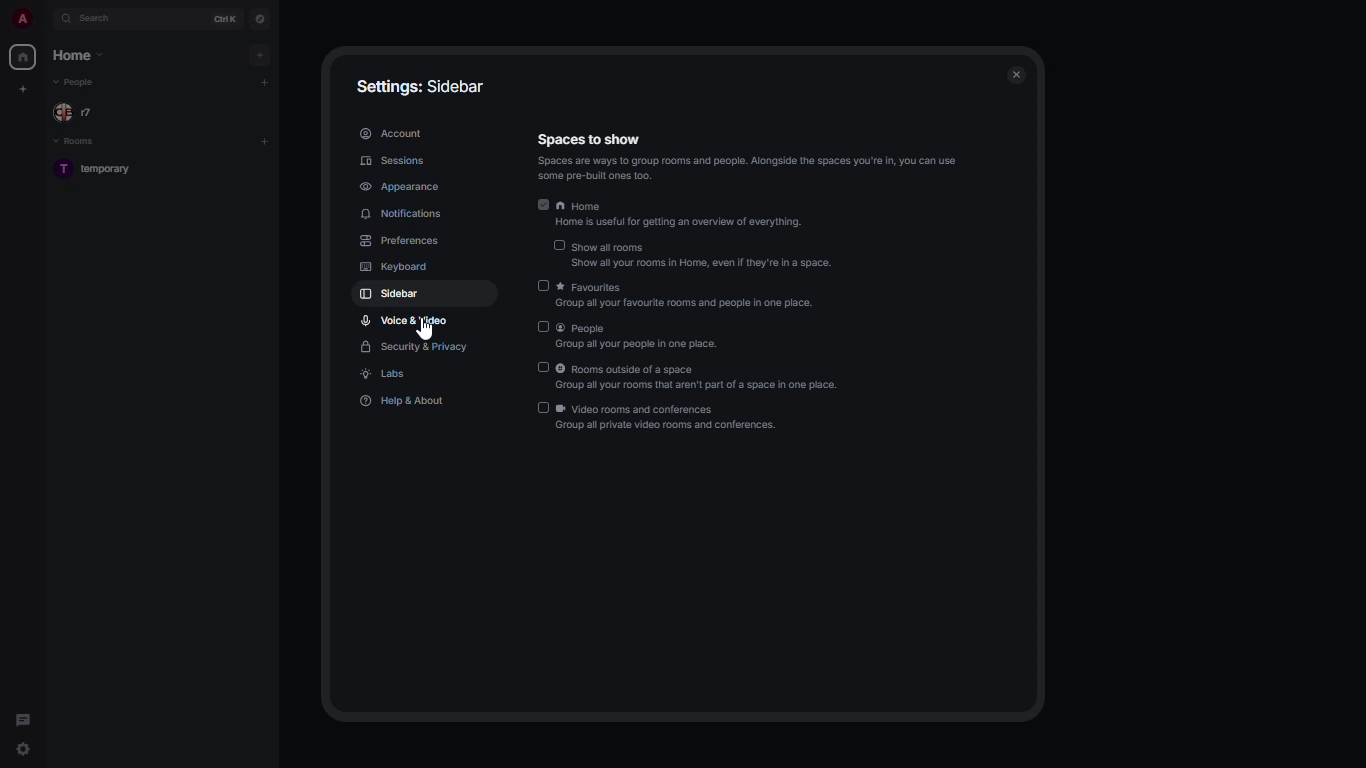 This screenshot has height=768, width=1366. What do you see at coordinates (401, 400) in the screenshot?
I see `help & about` at bounding box center [401, 400].